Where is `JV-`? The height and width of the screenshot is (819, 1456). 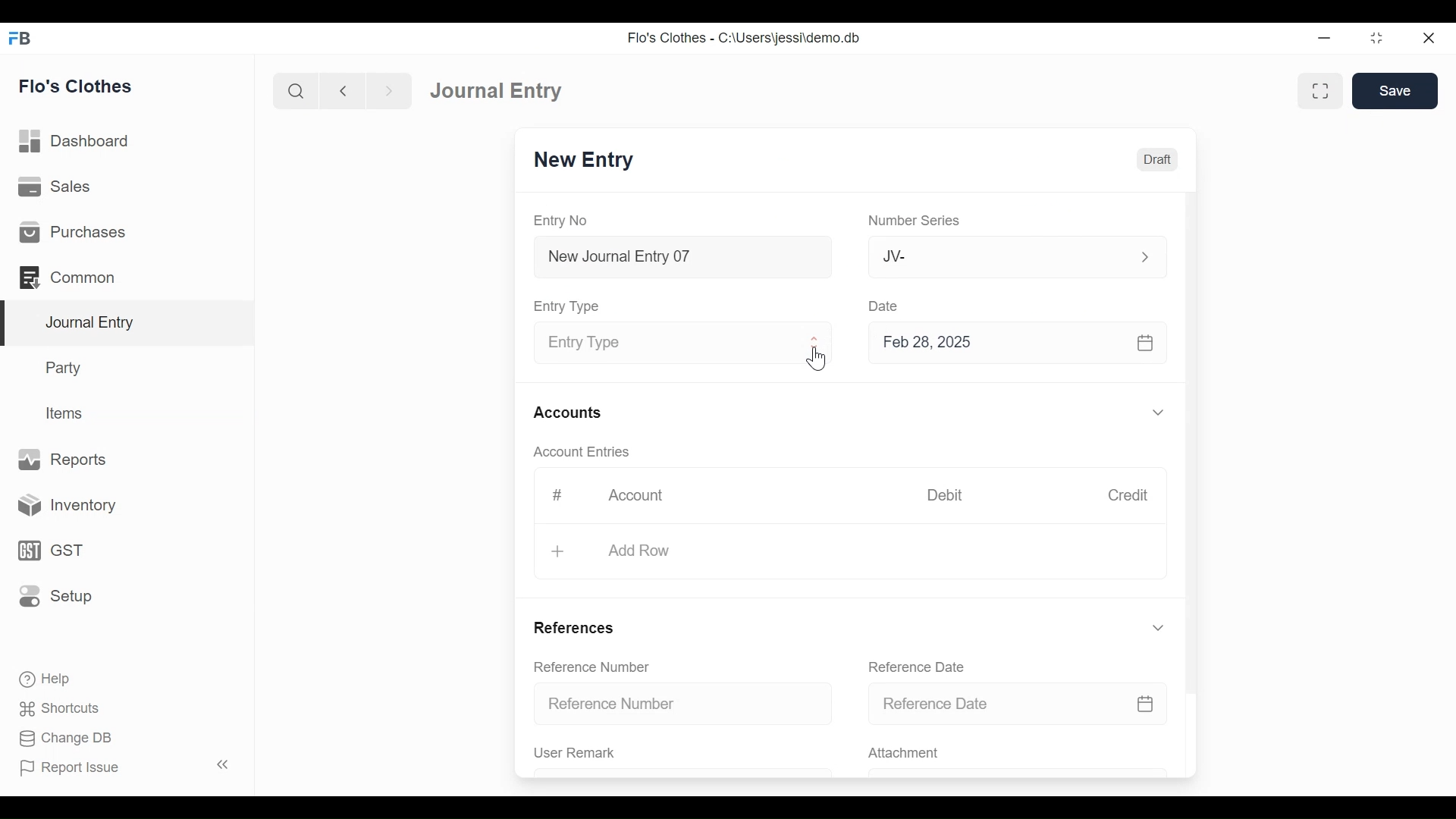
JV- is located at coordinates (990, 257).